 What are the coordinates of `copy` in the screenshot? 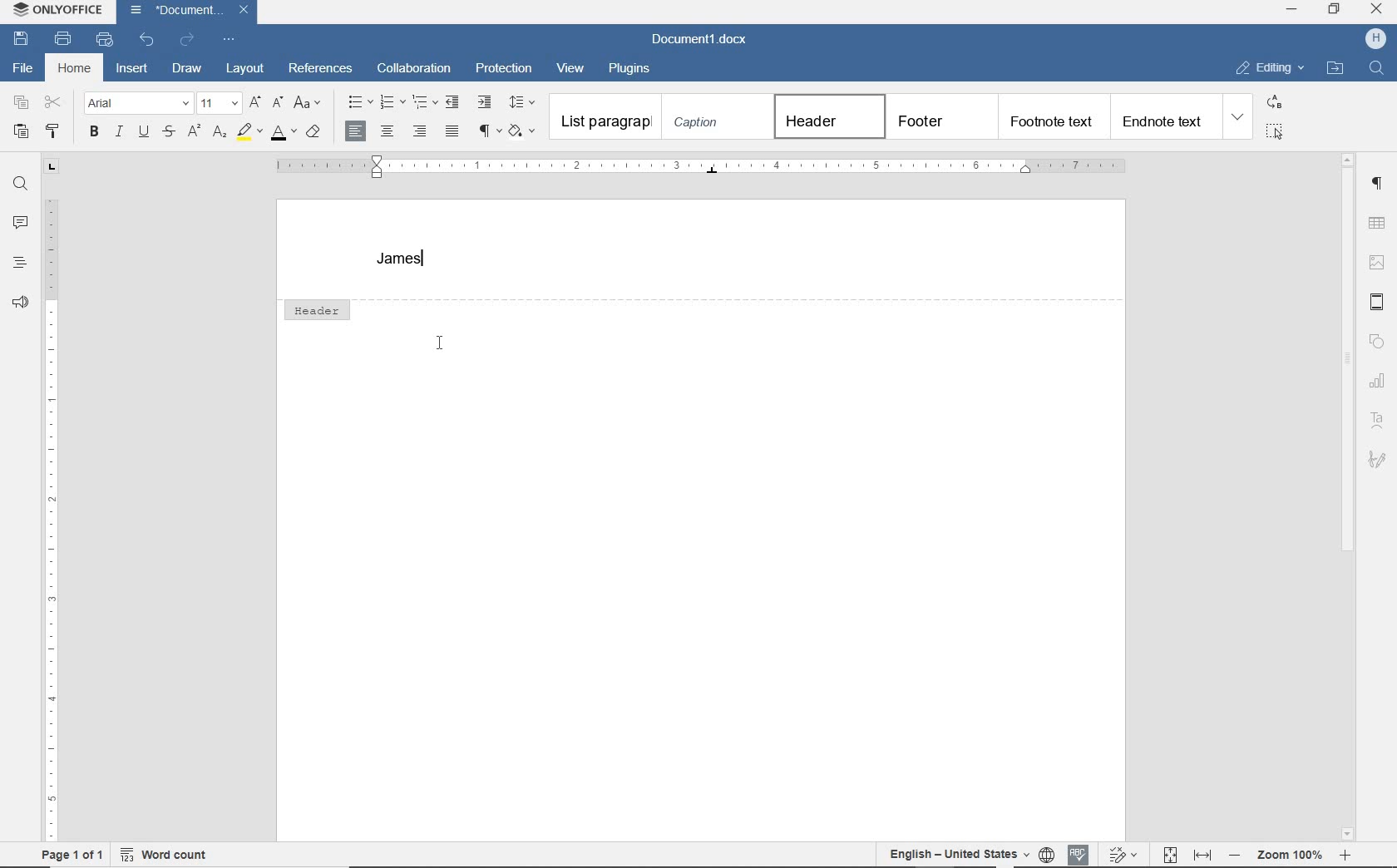 It's located at (22, 104).